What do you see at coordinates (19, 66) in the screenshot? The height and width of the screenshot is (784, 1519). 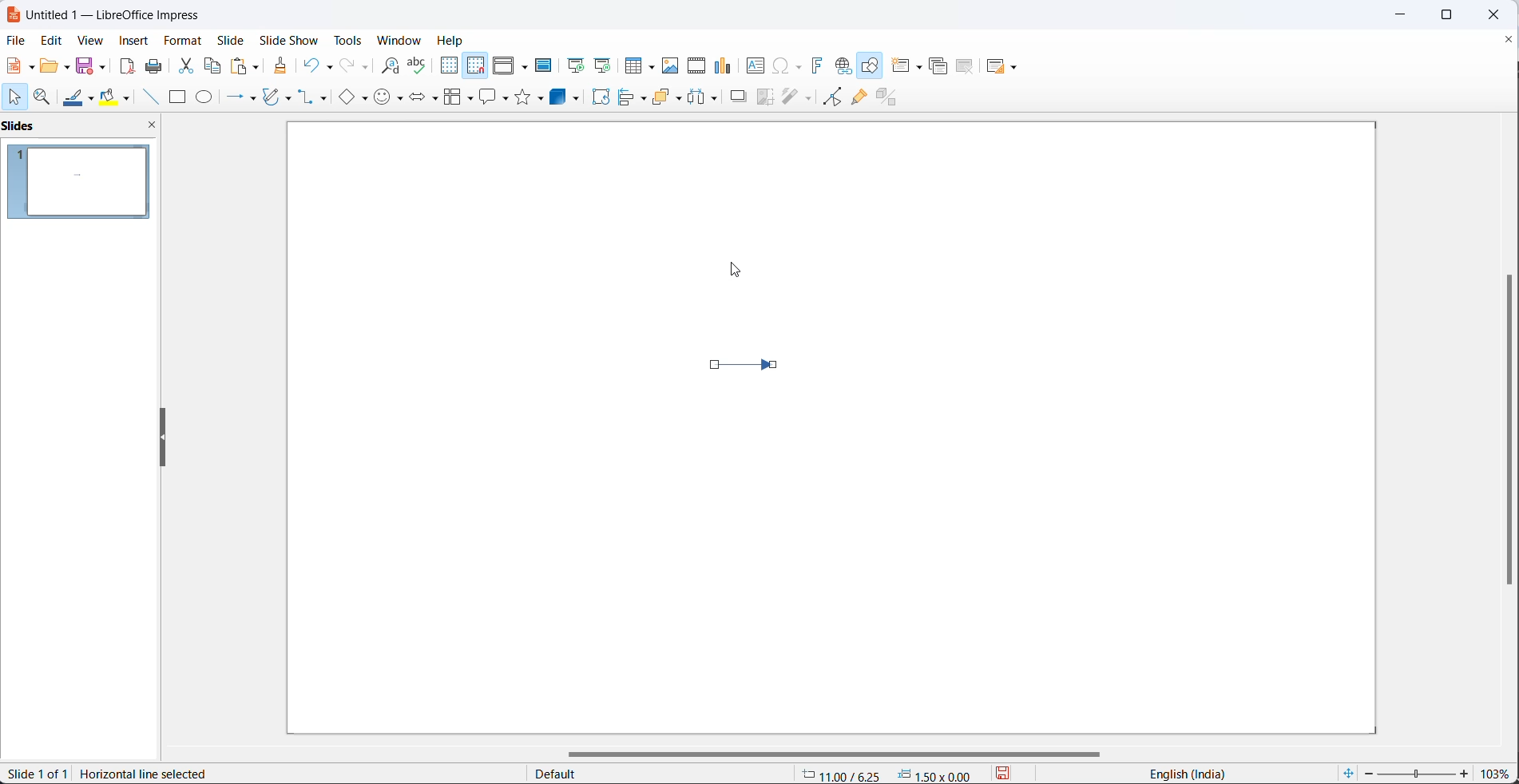 I see `file options` at bounding box center [19, 66].